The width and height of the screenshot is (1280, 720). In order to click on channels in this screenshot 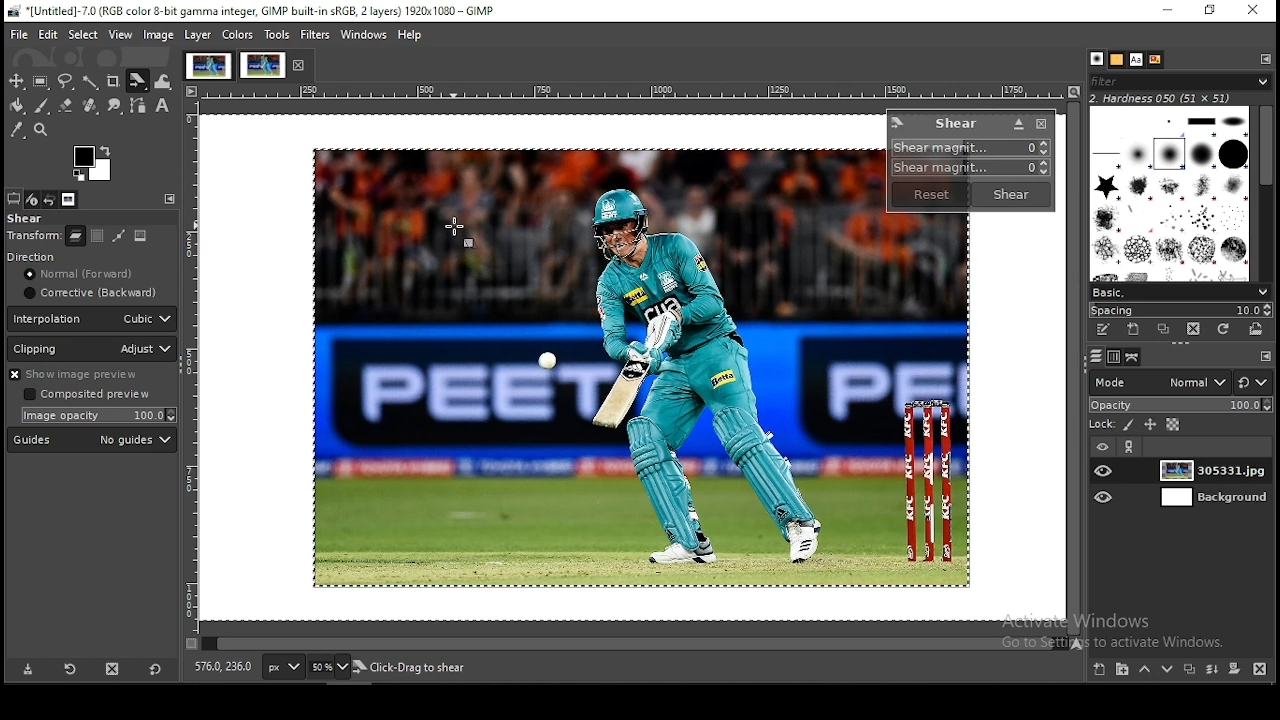, I will do `click(1116, 357)`.